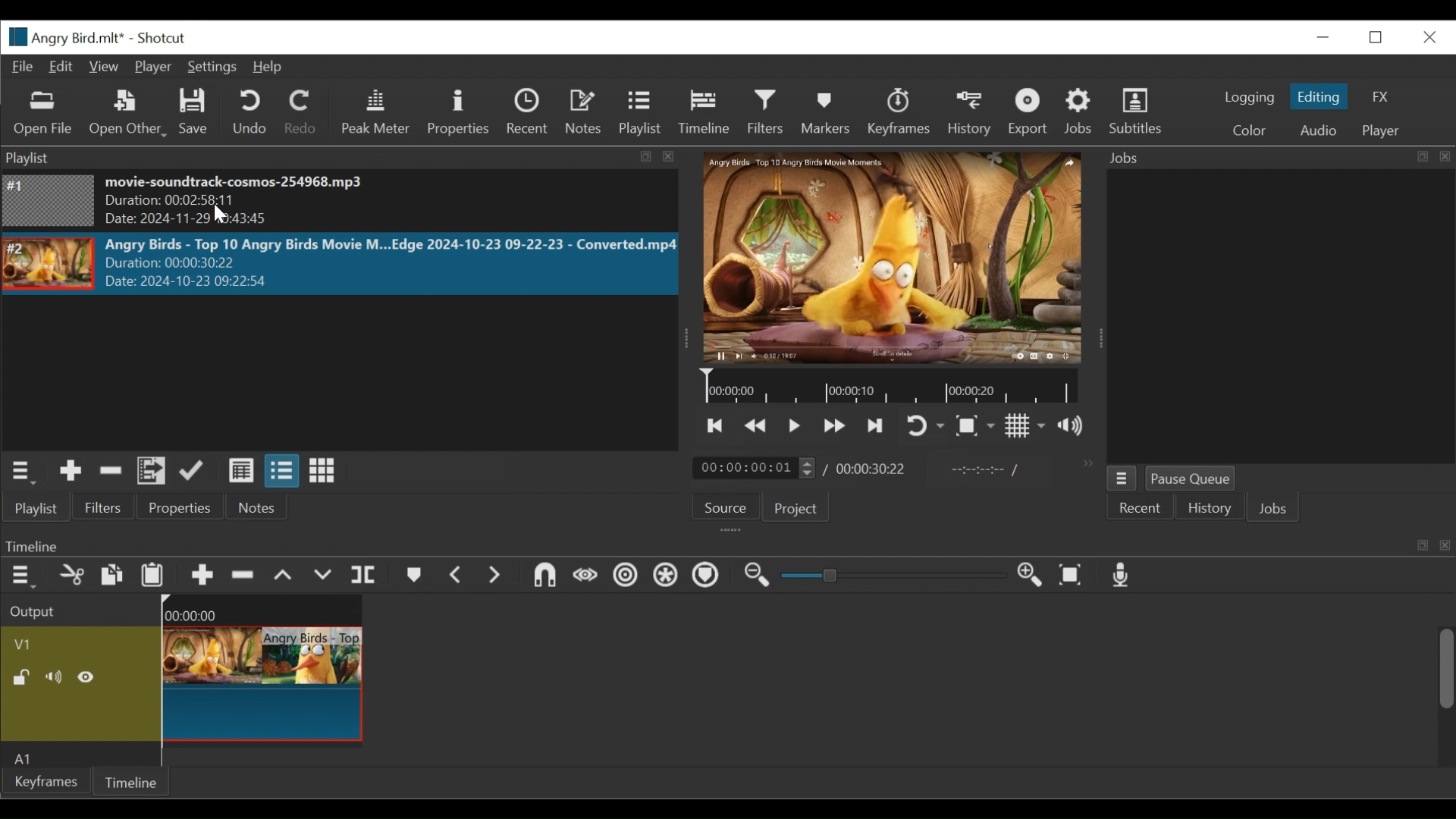 The width and height of the screenshot is (1456, 819). I want to click on Zoom timeline to fit, so click(1073, 575).